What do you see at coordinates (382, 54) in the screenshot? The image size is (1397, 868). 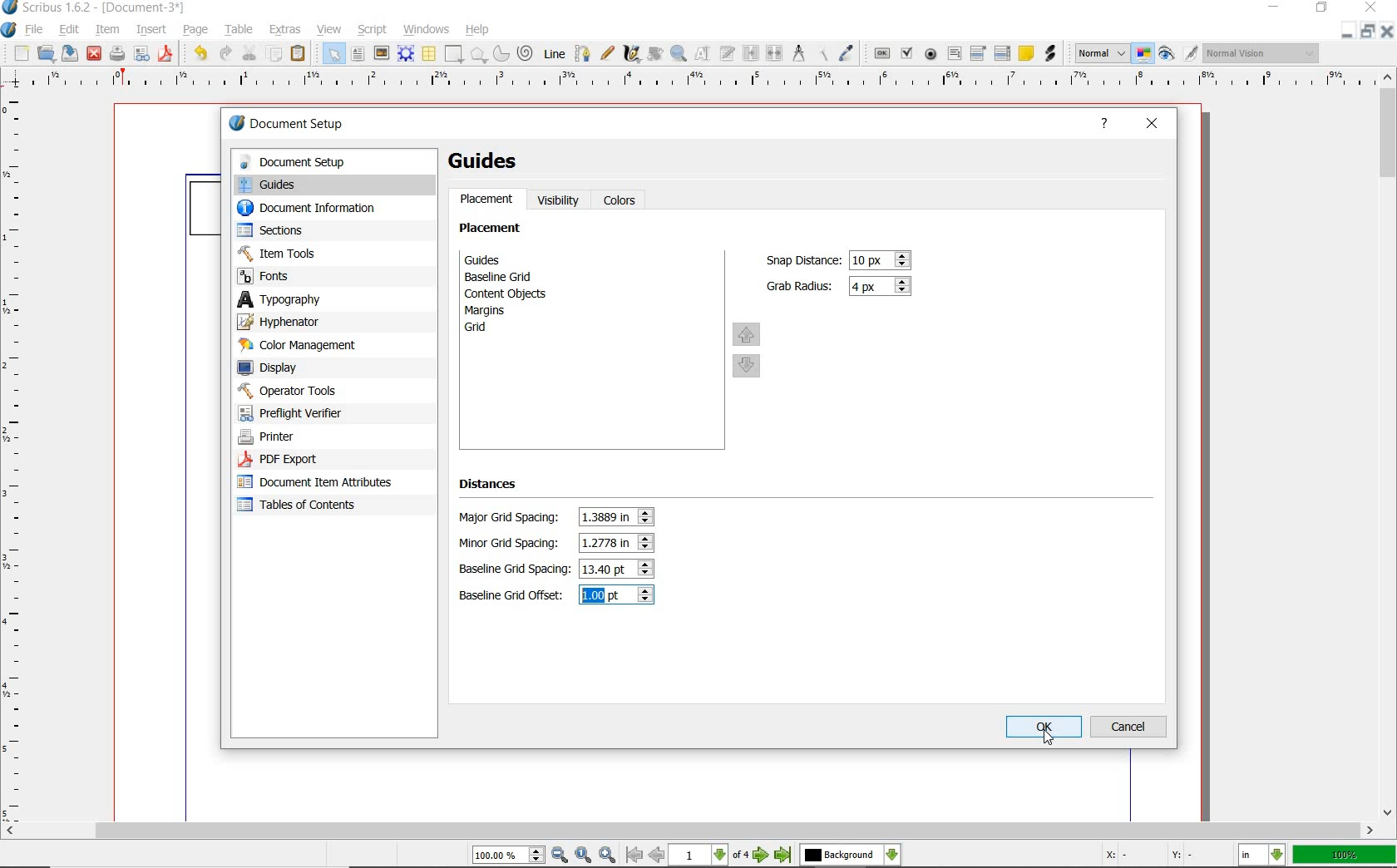 I see `image frame` at bounding box center [382, 54].